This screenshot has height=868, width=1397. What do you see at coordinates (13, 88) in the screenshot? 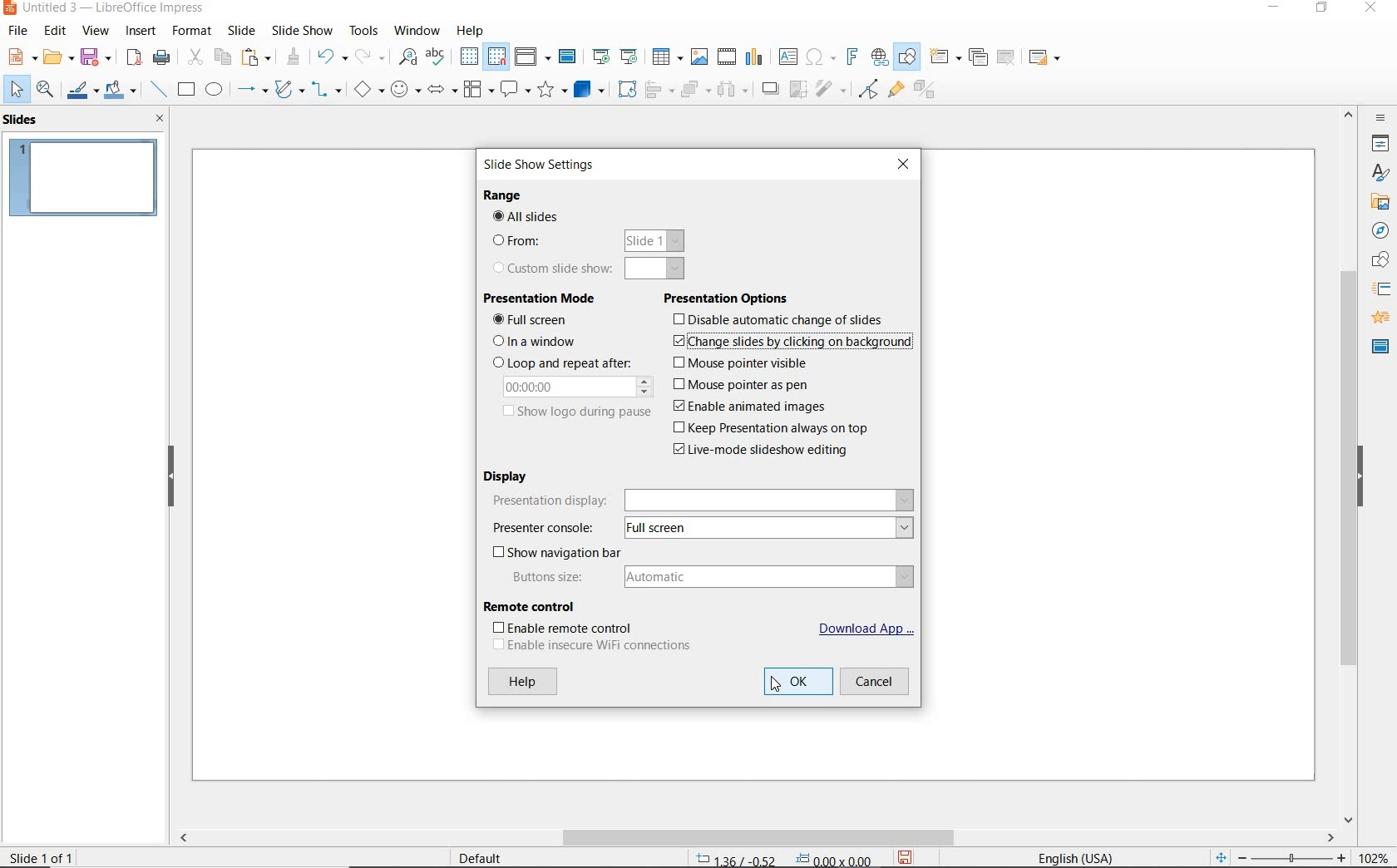
I see `SELECT` at bounding box center [13, 88].